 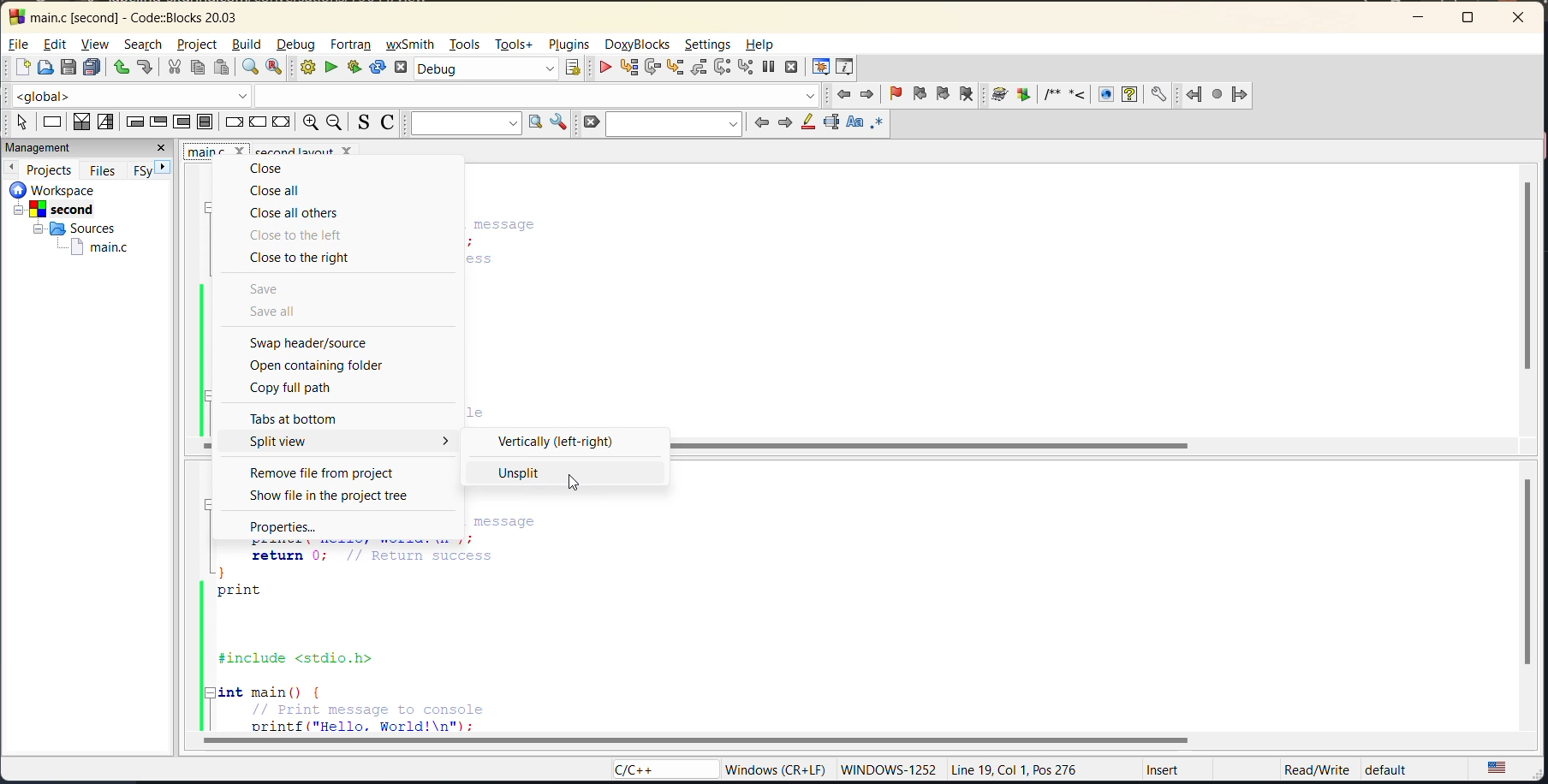 What do you see at coordinates (325, 365) in the screenshot?
I see `open containing folder` at bounding box center [325, 365].